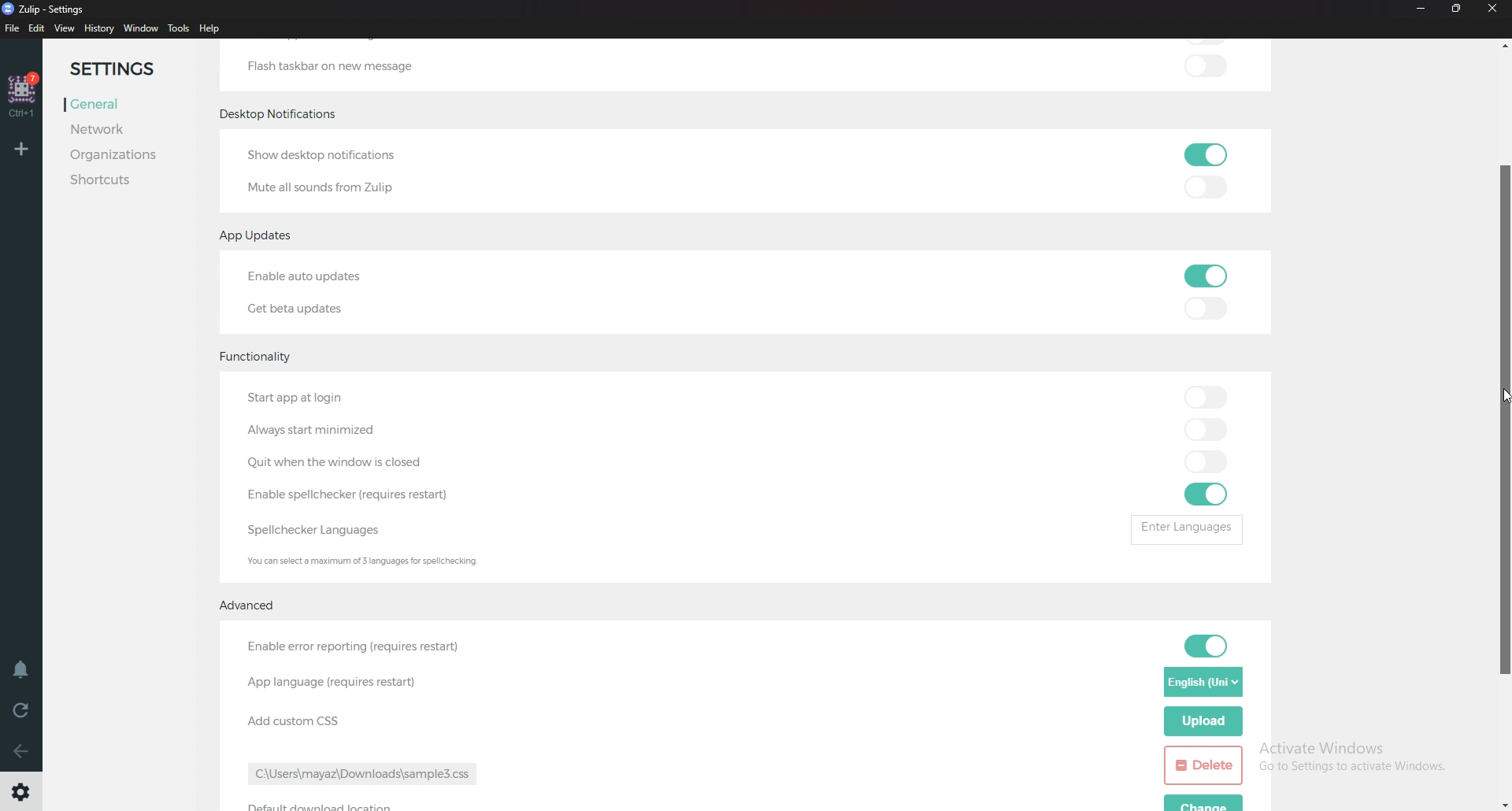 The image size is (1512, 811). Describe the element at coordinates (124, 69) in the screenshot. I see `Settings` at that location.